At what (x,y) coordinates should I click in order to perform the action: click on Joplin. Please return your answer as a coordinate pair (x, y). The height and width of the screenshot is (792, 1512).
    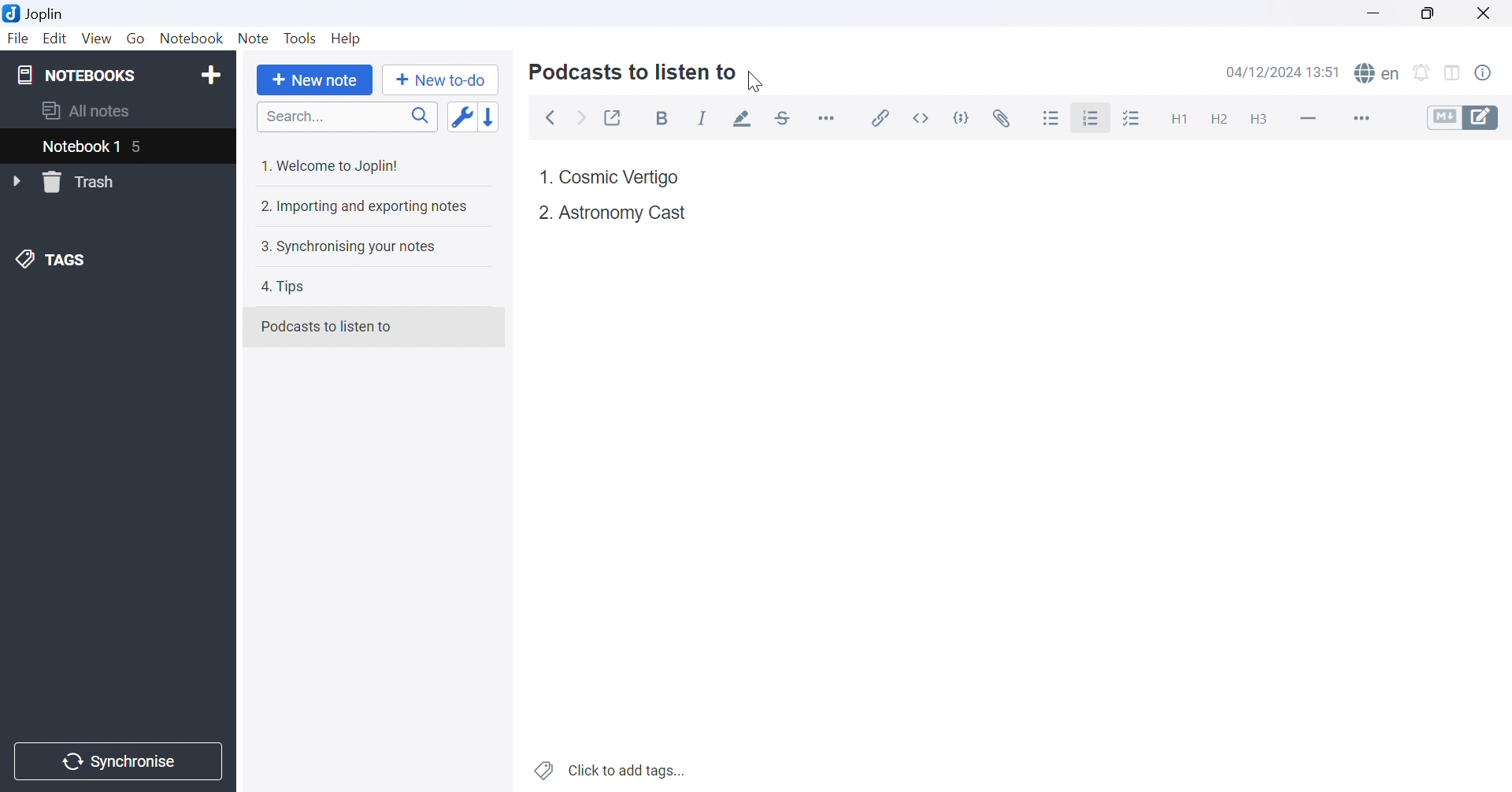
    Looking at the image, I should click on (36, 13).